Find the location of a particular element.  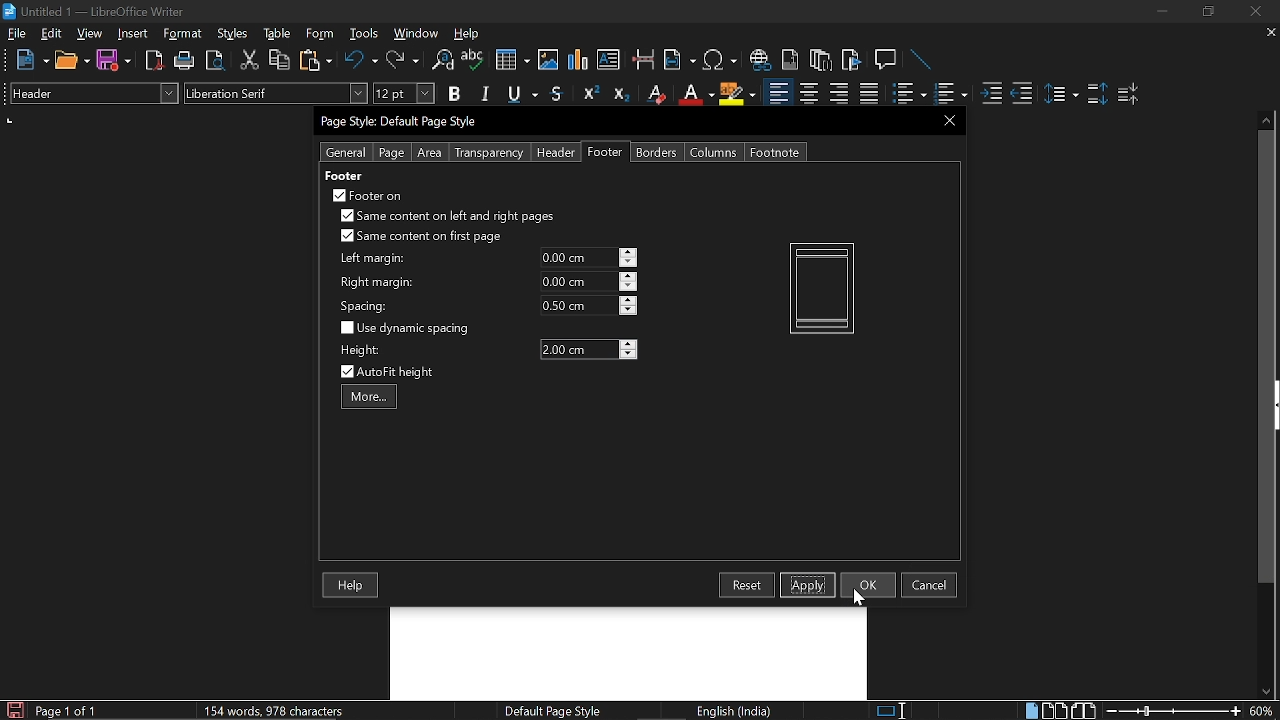

vertical scrollbar is located at coordinates (1262, 357).